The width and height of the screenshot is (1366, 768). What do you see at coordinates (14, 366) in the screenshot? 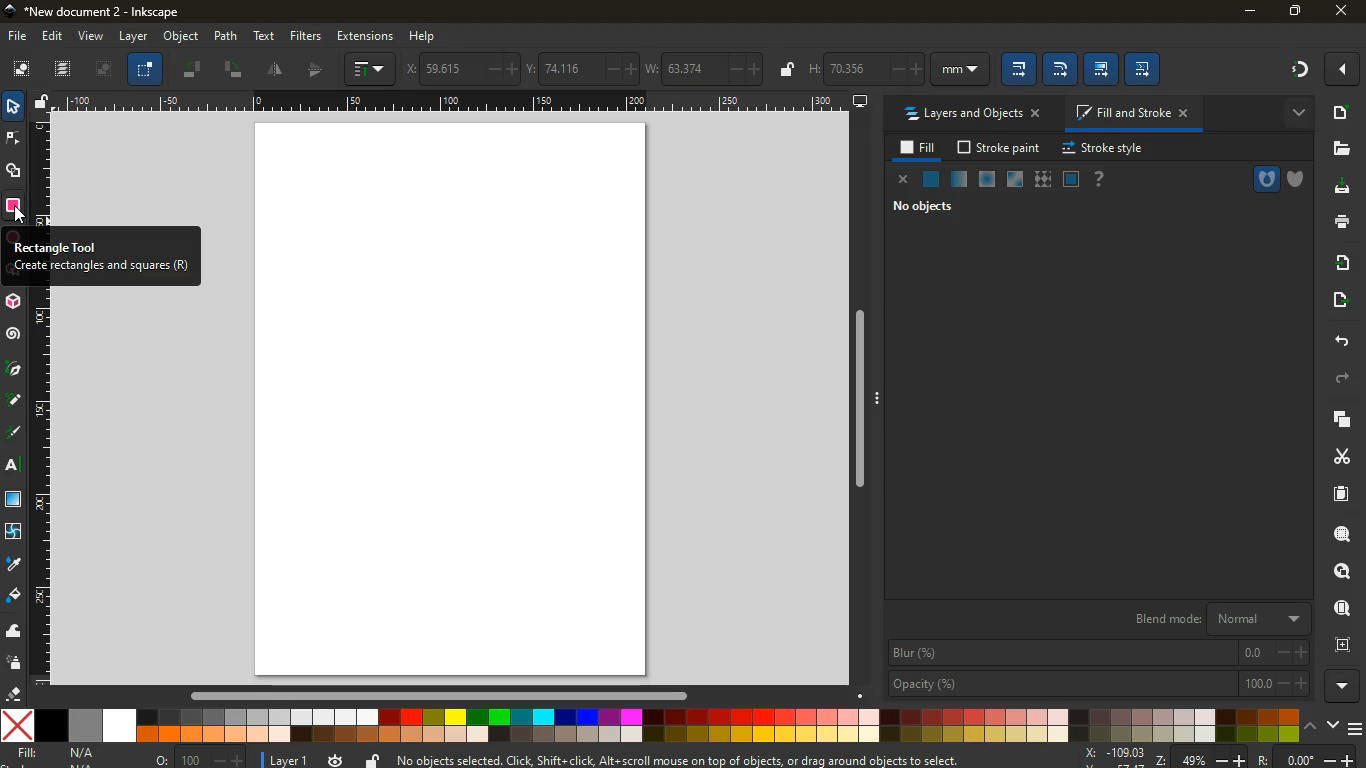
I see `pic` at bounding box center [14, 366].